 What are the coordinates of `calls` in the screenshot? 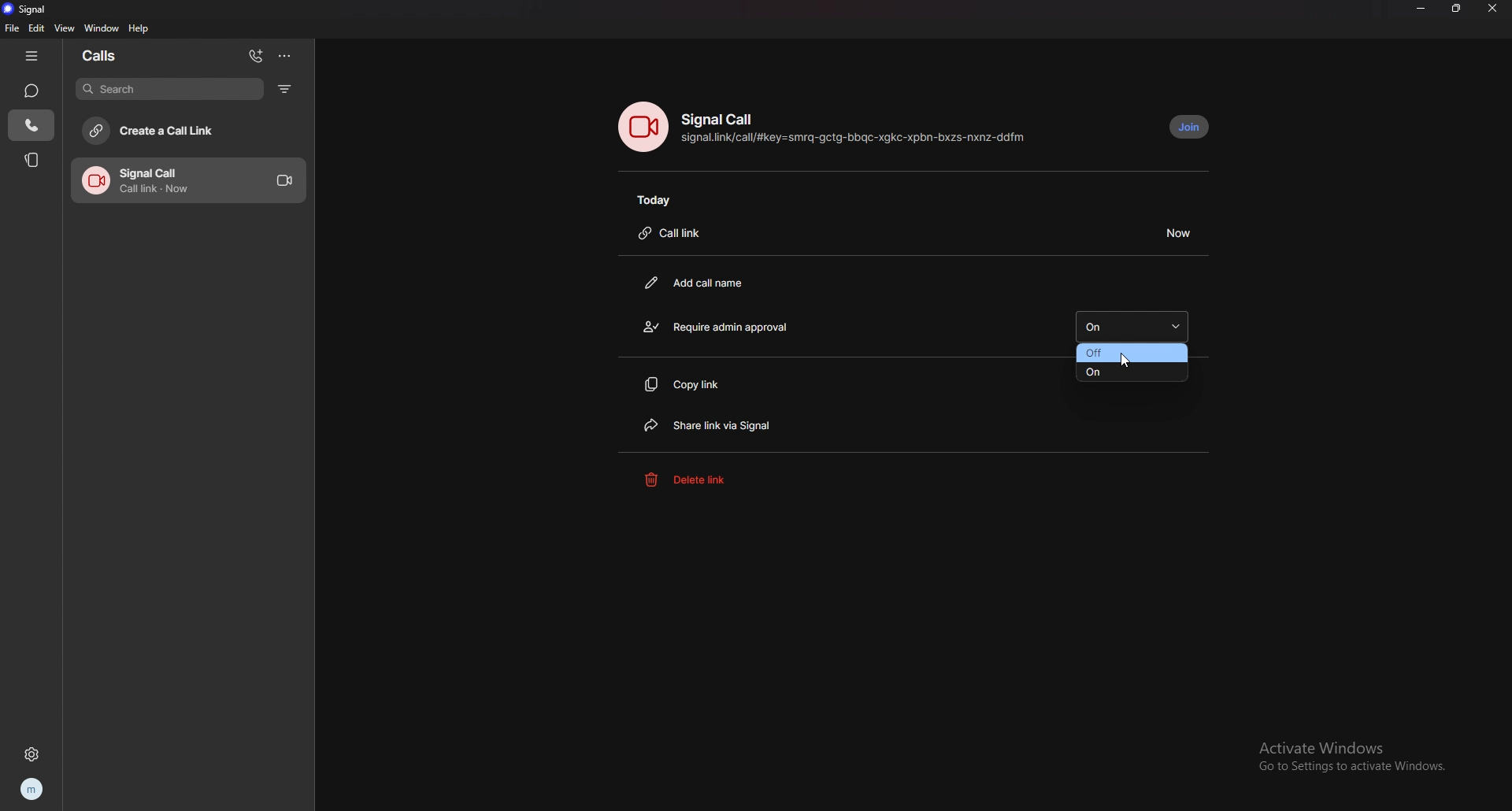 It's located at (31, 126).